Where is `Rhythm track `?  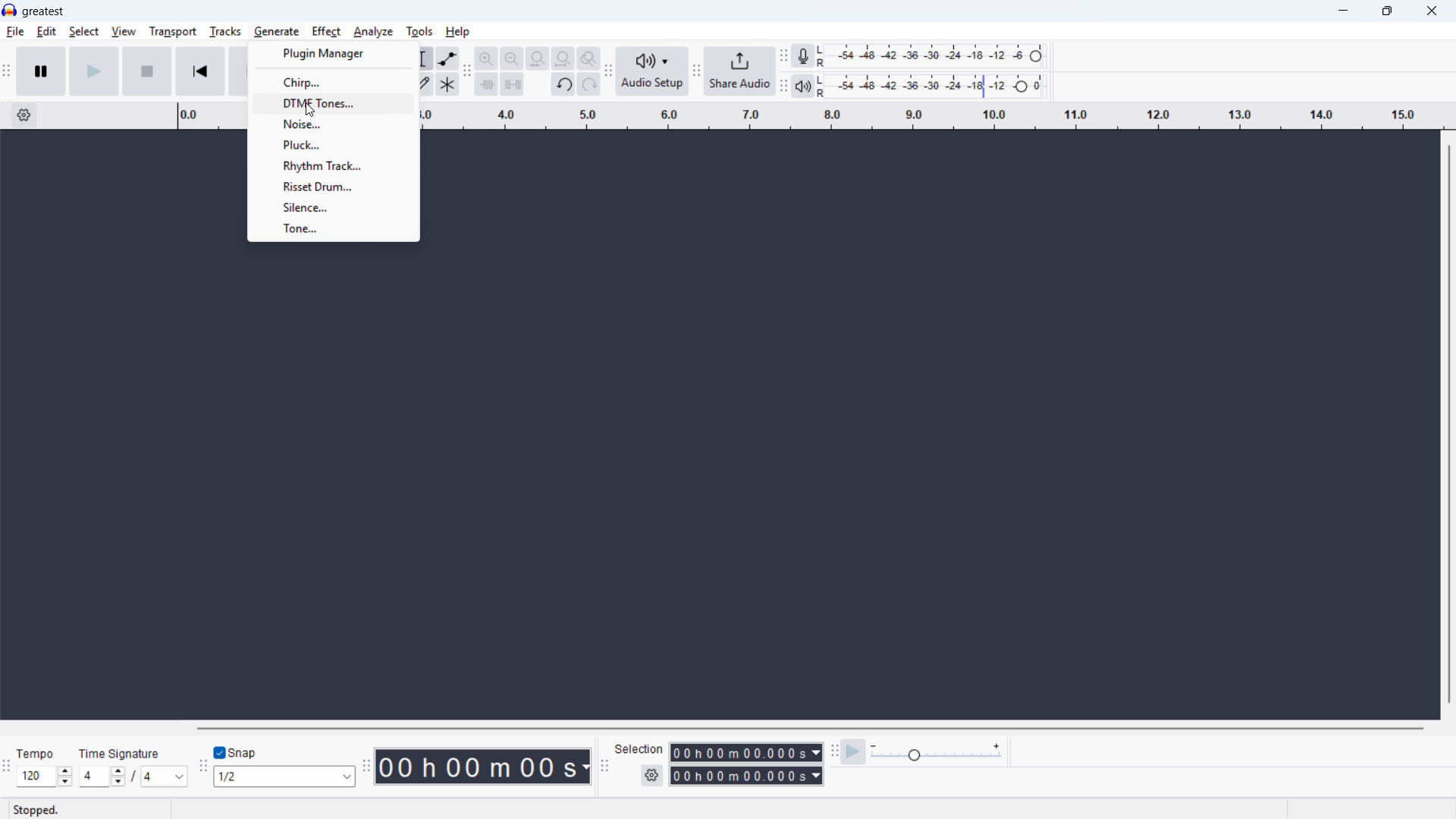 Rhythm track  is located at coordinates (333, 165).